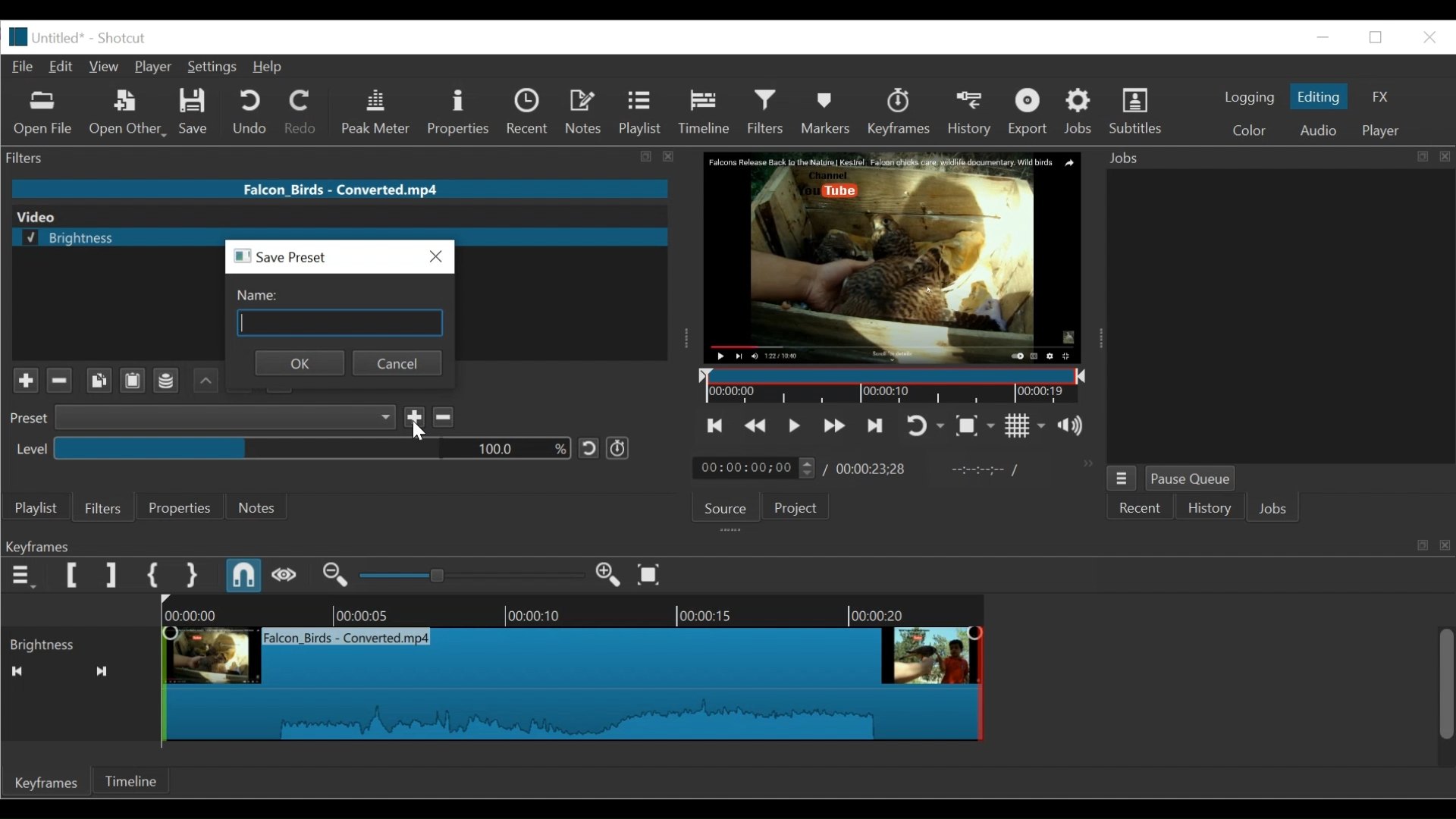  What do you see at coordinates (899, 111) in the screenshot?
I see `Keyframes` at bounding box center [899, 111].